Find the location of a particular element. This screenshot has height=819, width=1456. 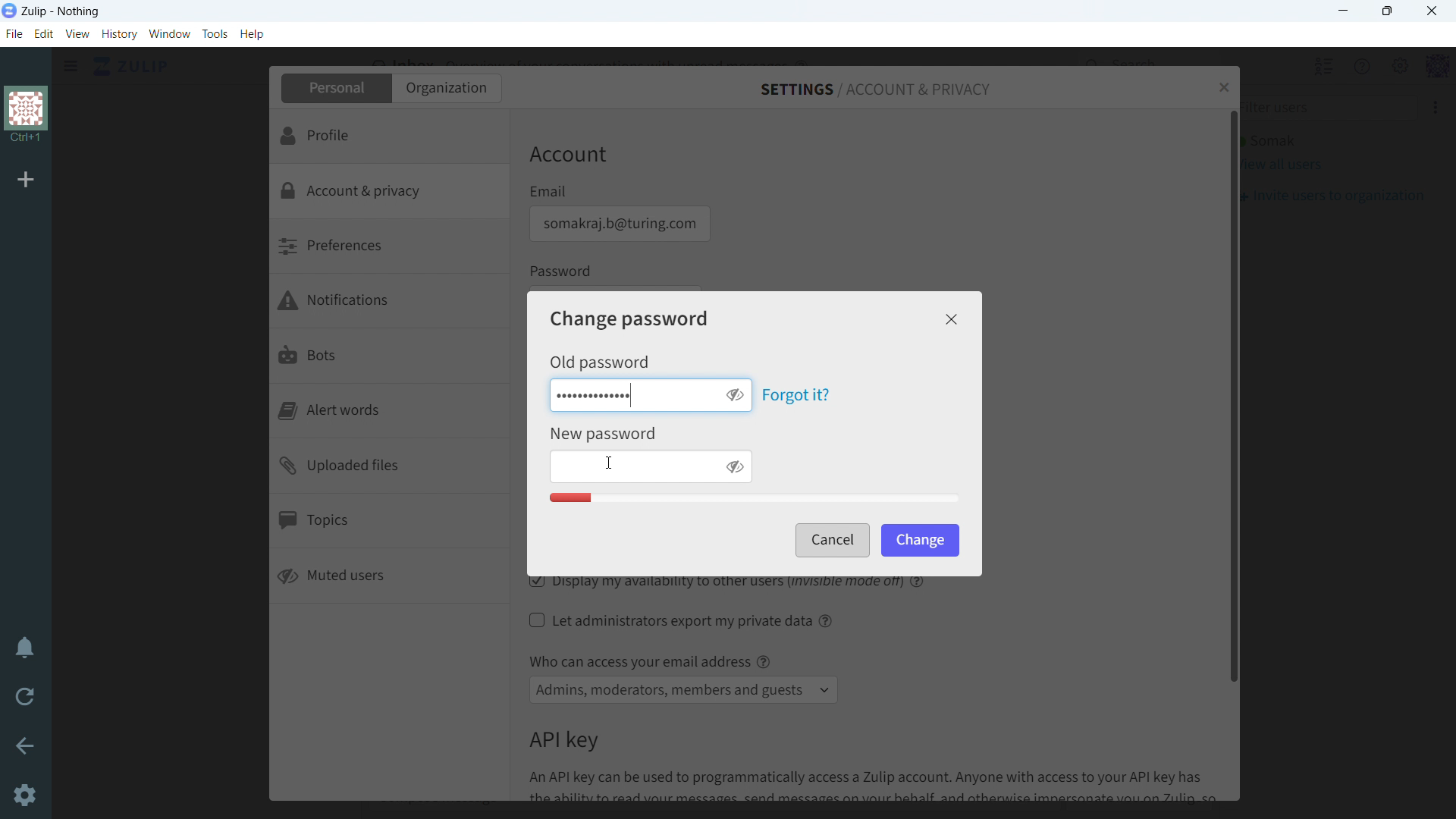

API key is located at coordinates (563, 740).